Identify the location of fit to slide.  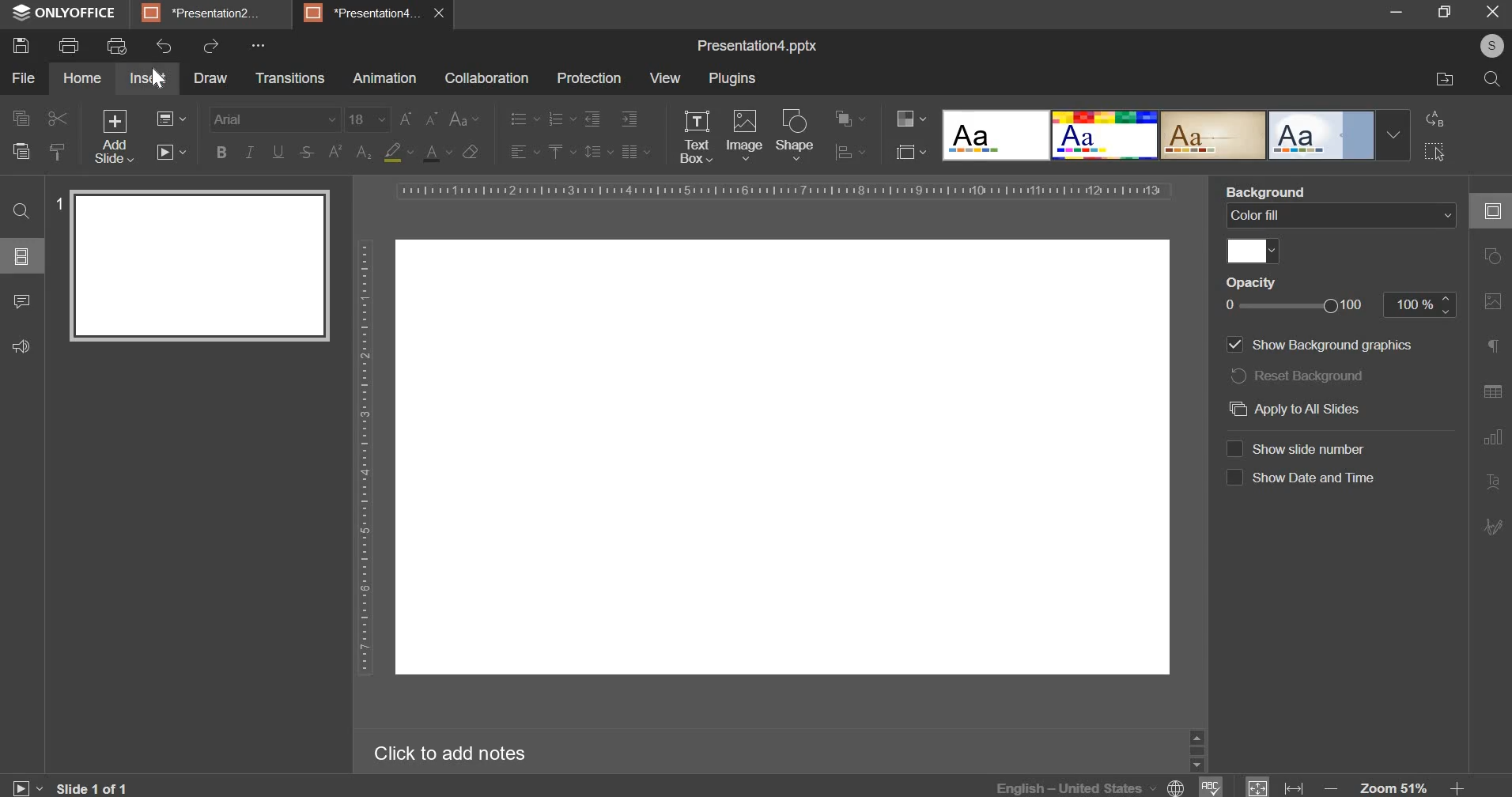
(1258, 788).